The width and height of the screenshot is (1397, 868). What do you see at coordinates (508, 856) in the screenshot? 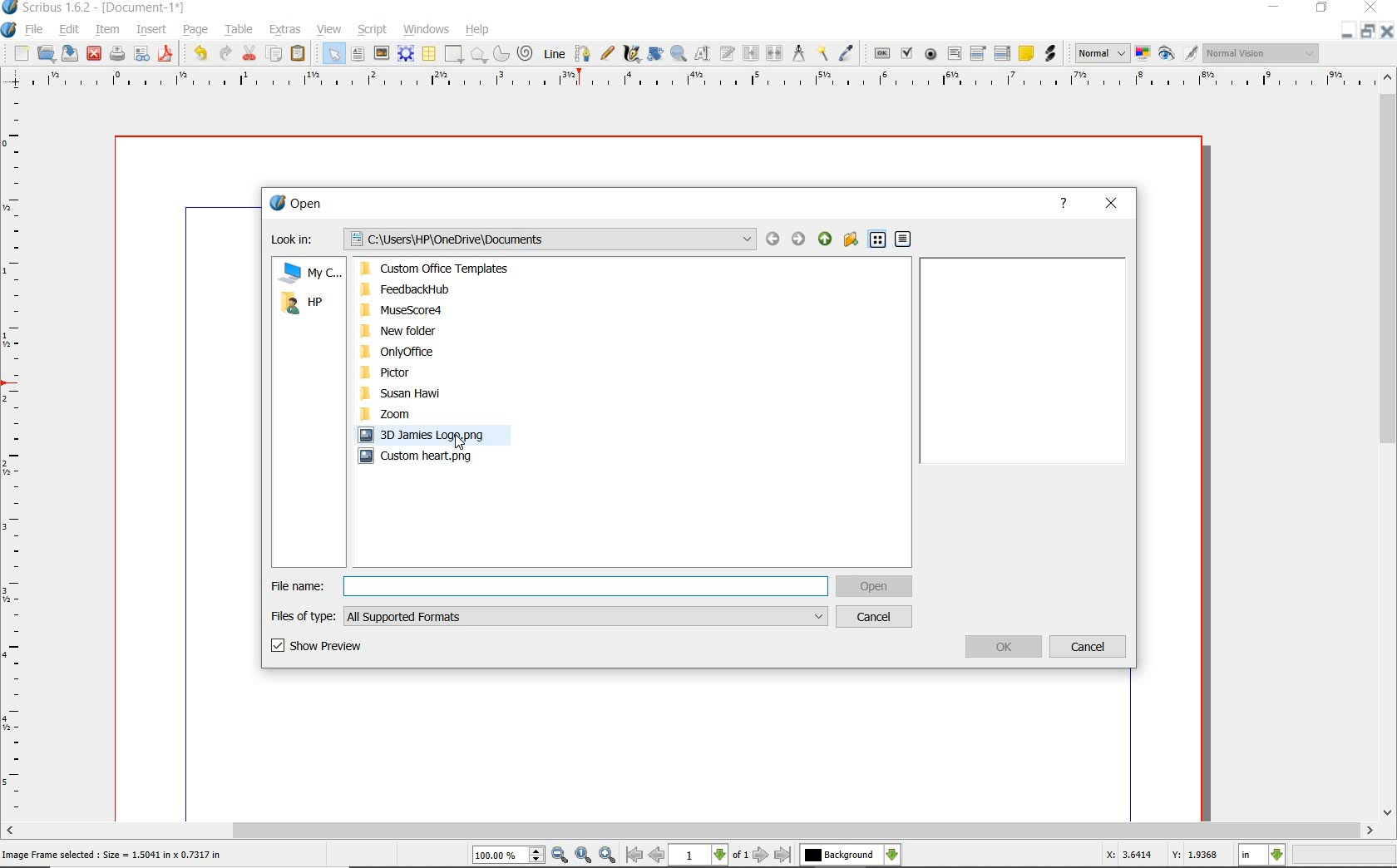
I see `select current zoom level` at bounding box center [508, 856].